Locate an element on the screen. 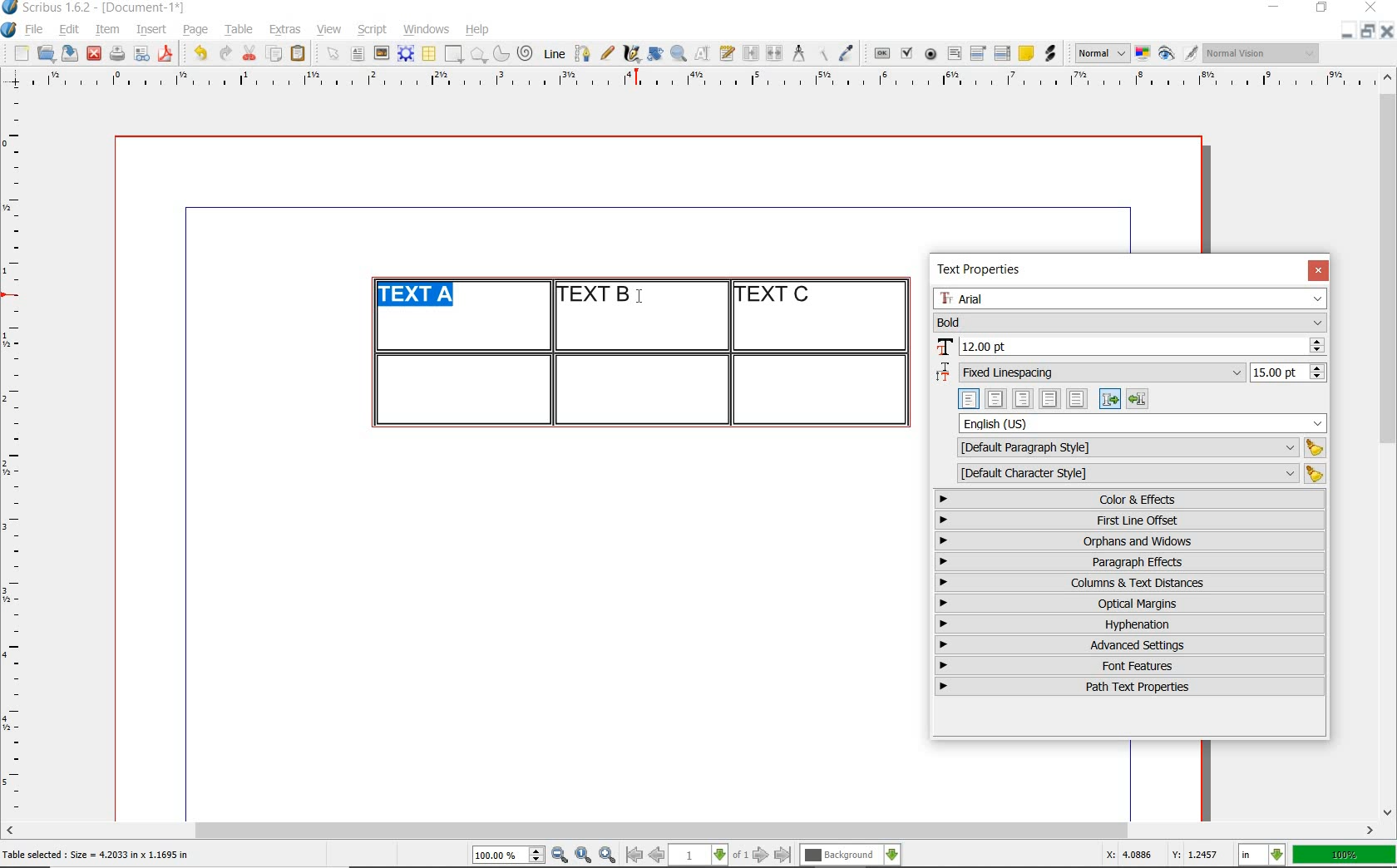 The image size is (1397, 868). copy is located at coordinates (275, 55).